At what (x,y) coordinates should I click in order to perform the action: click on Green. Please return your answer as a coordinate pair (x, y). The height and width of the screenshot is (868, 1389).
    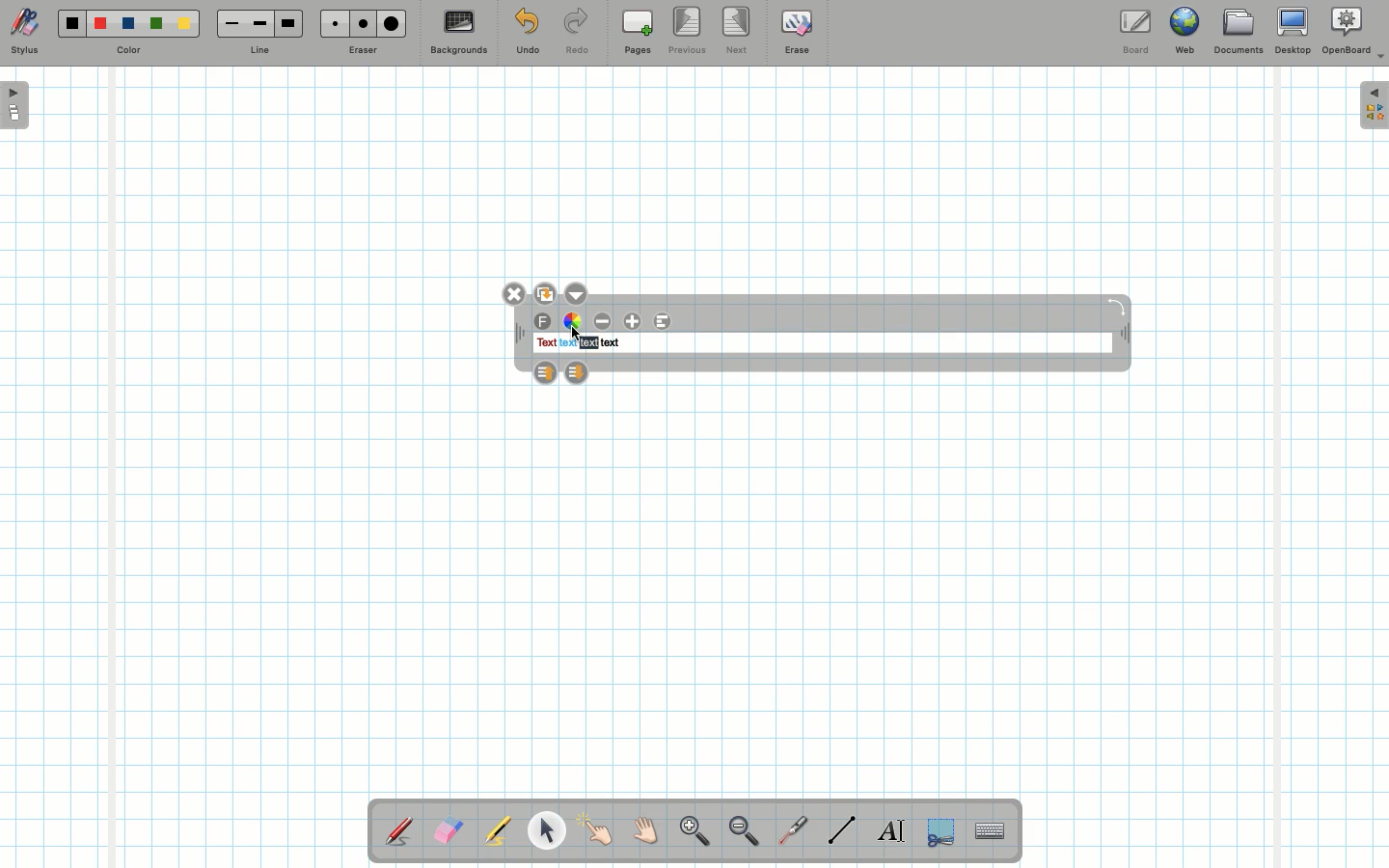
    Looking at the image, I should click on (156, 25).